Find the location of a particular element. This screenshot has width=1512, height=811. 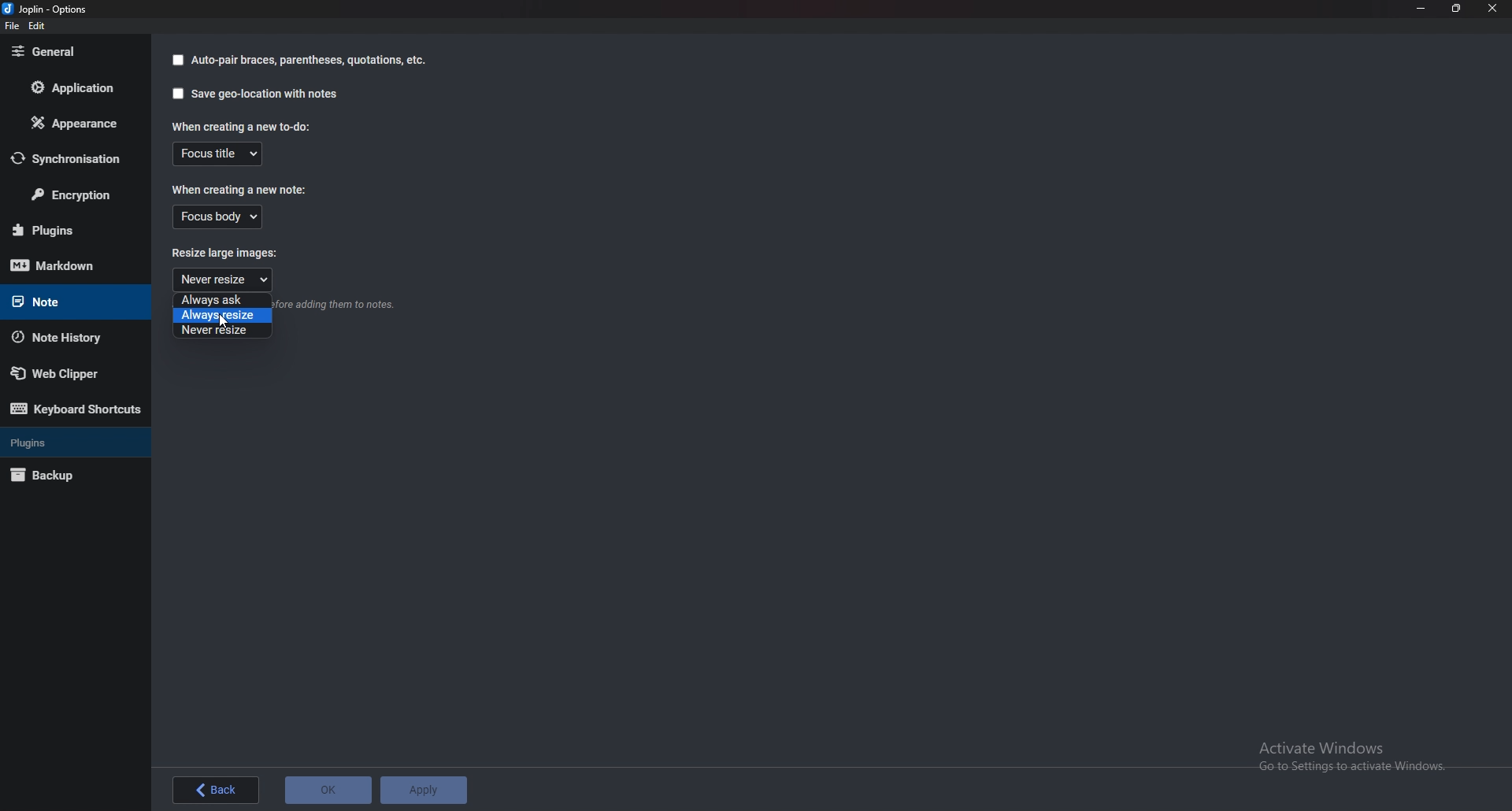

Never resize is located at coordinates (223, 280).